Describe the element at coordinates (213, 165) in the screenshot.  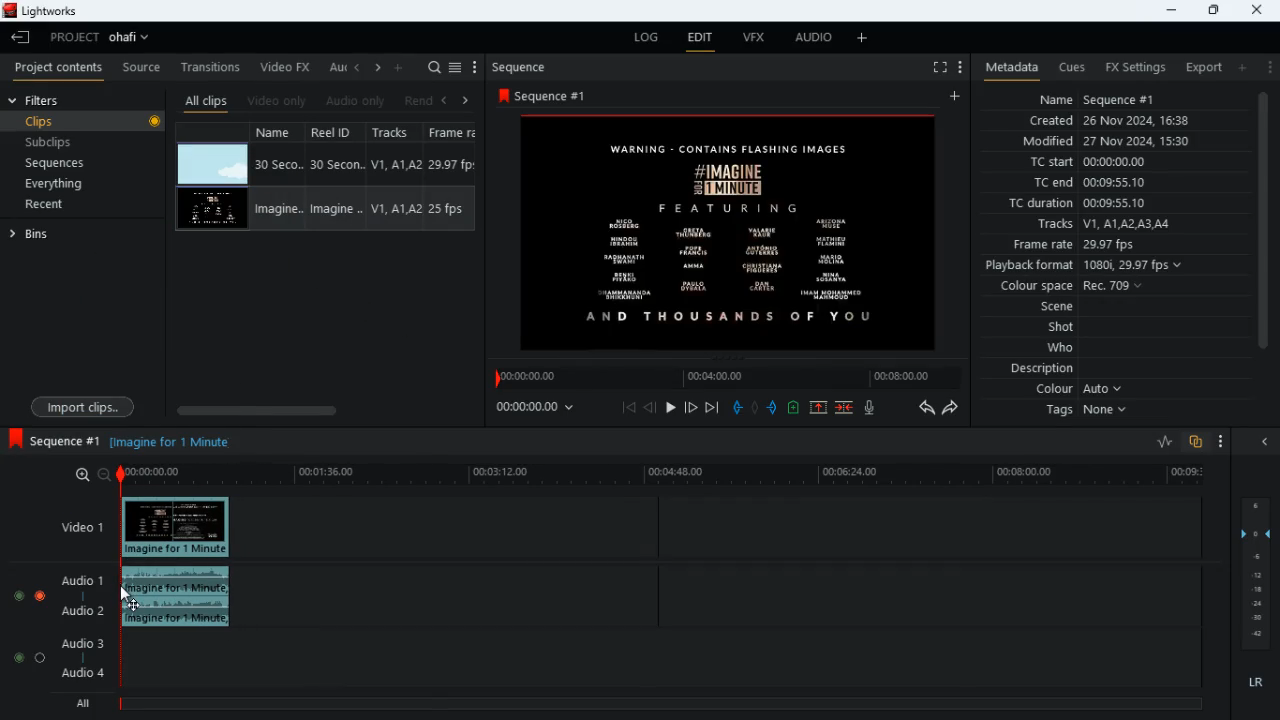
I see `image` at that location.